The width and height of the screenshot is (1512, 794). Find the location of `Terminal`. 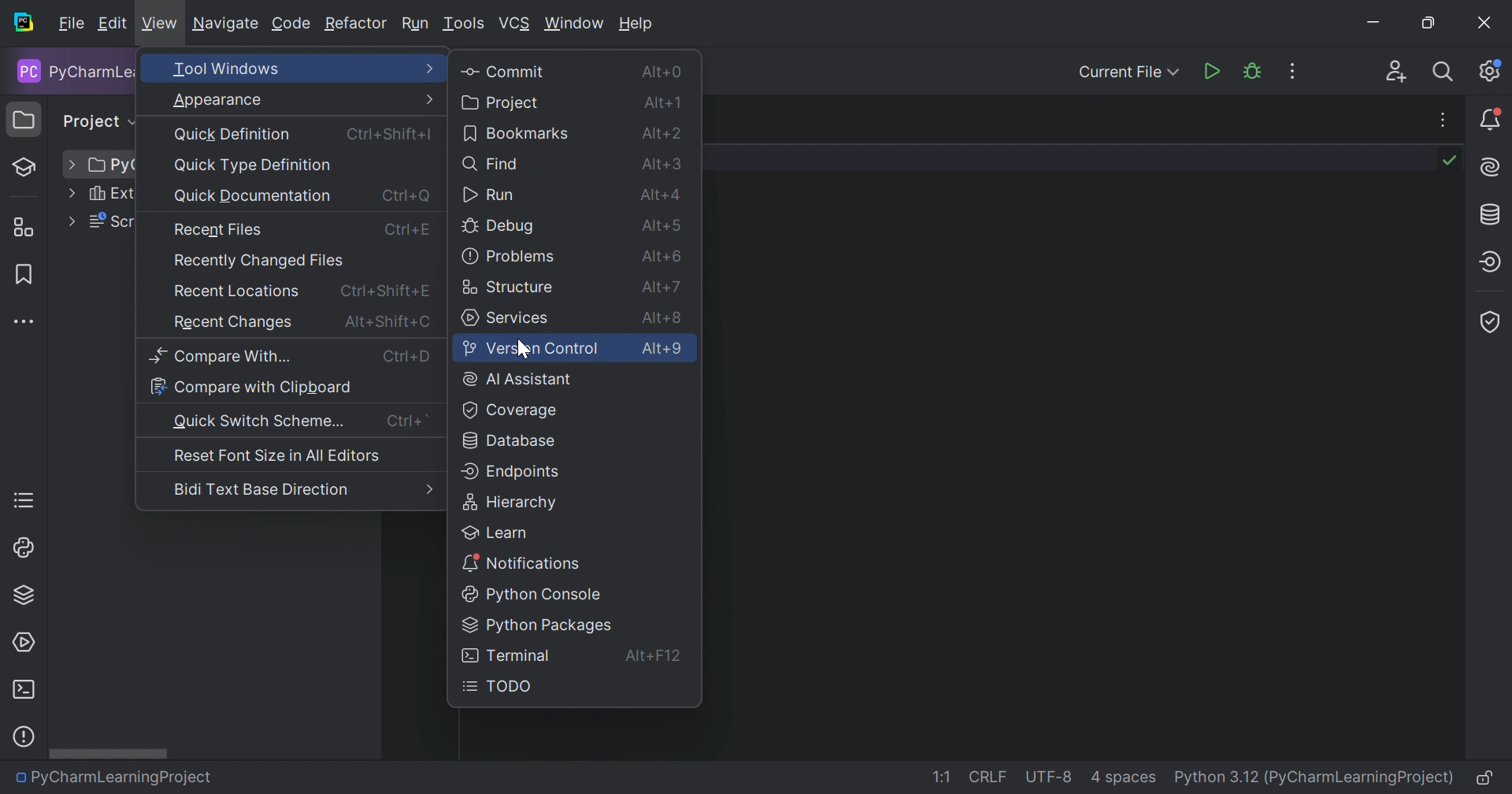

Terminal is located at coordinates (506, 655).